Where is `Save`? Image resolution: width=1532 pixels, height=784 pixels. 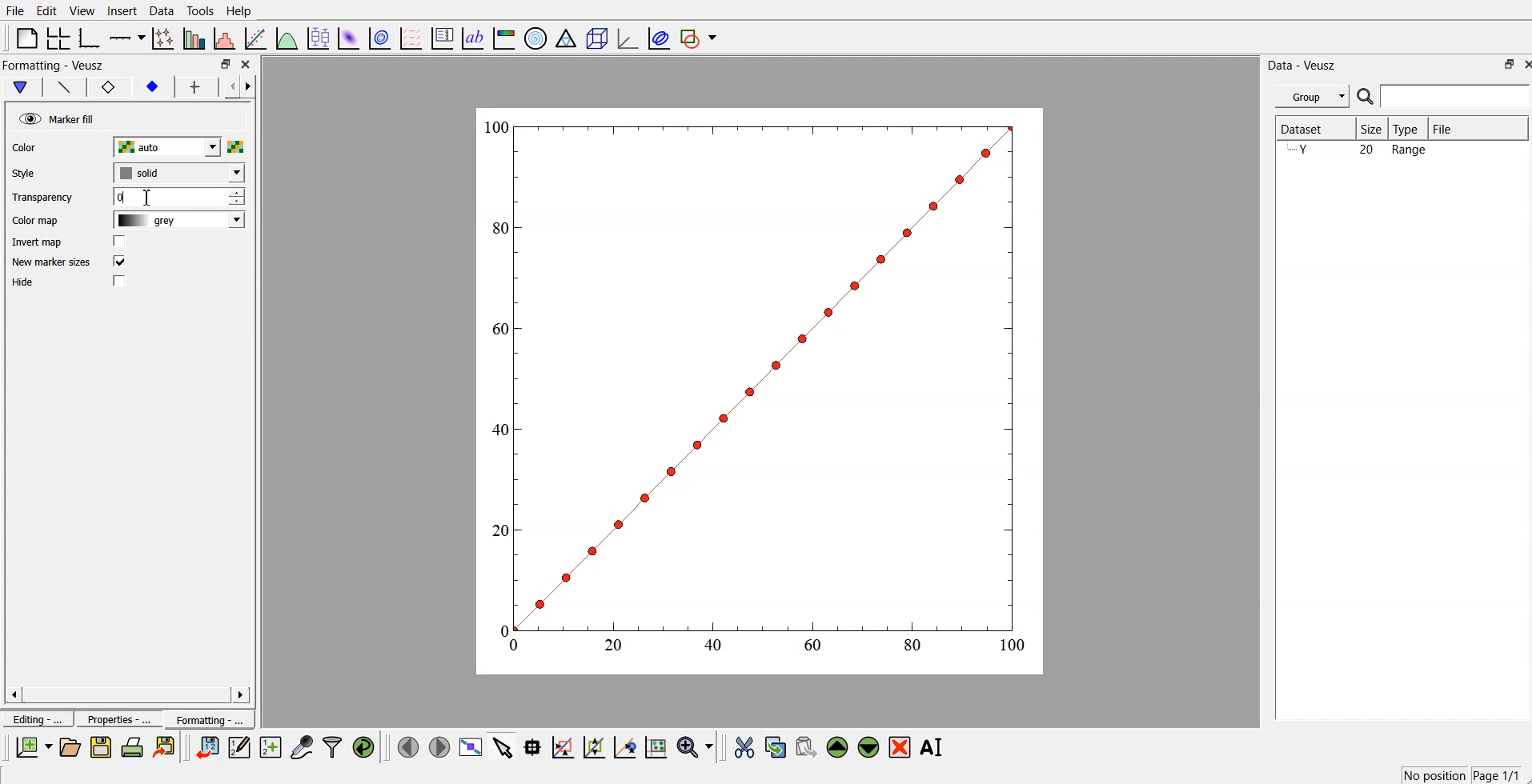 Save is located at coordinates (101, 747).